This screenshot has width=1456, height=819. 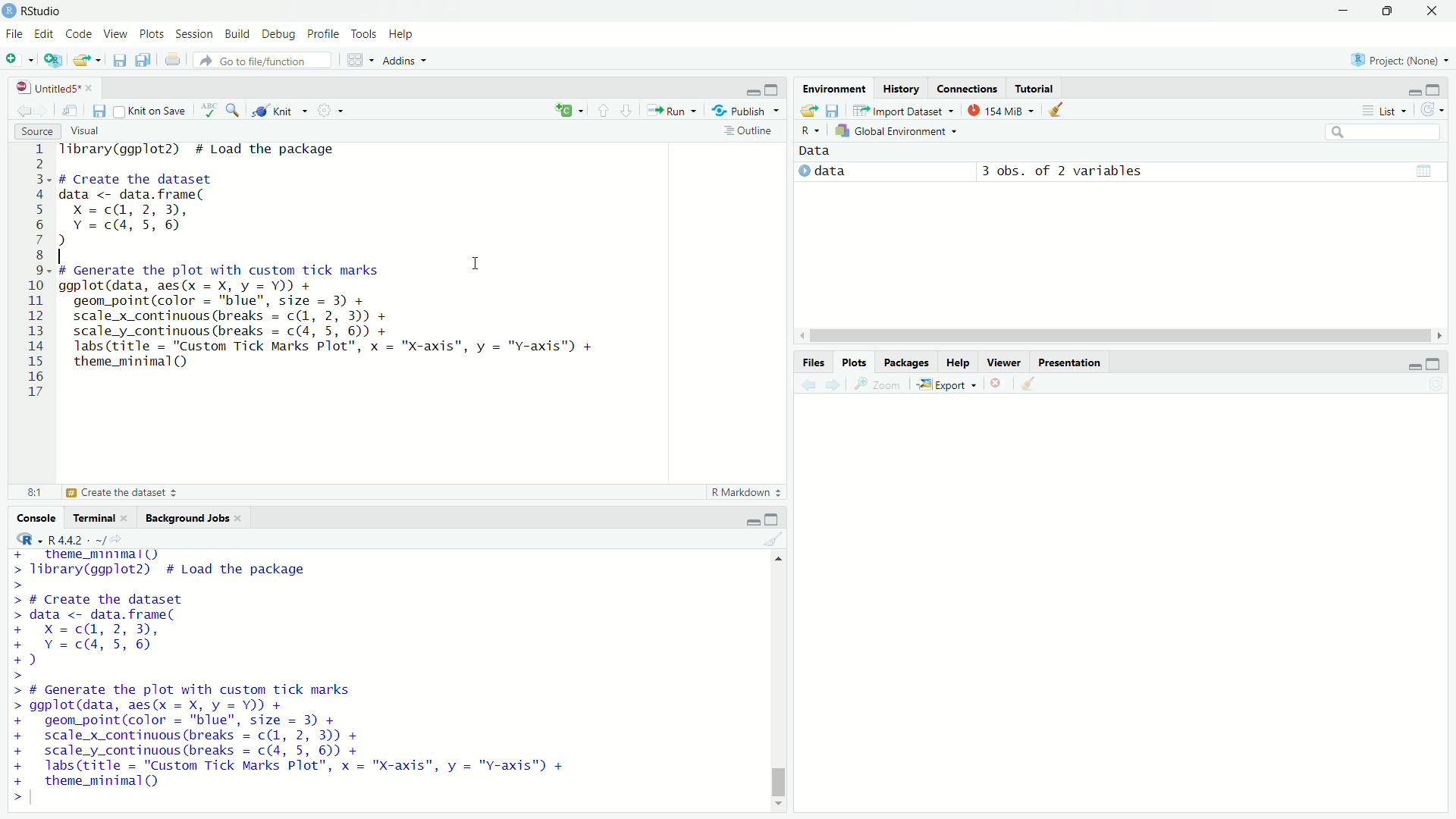 What do you see at coordinates (93, 86) in the screenshot?
I see `close` at bounding box center [93, 86].